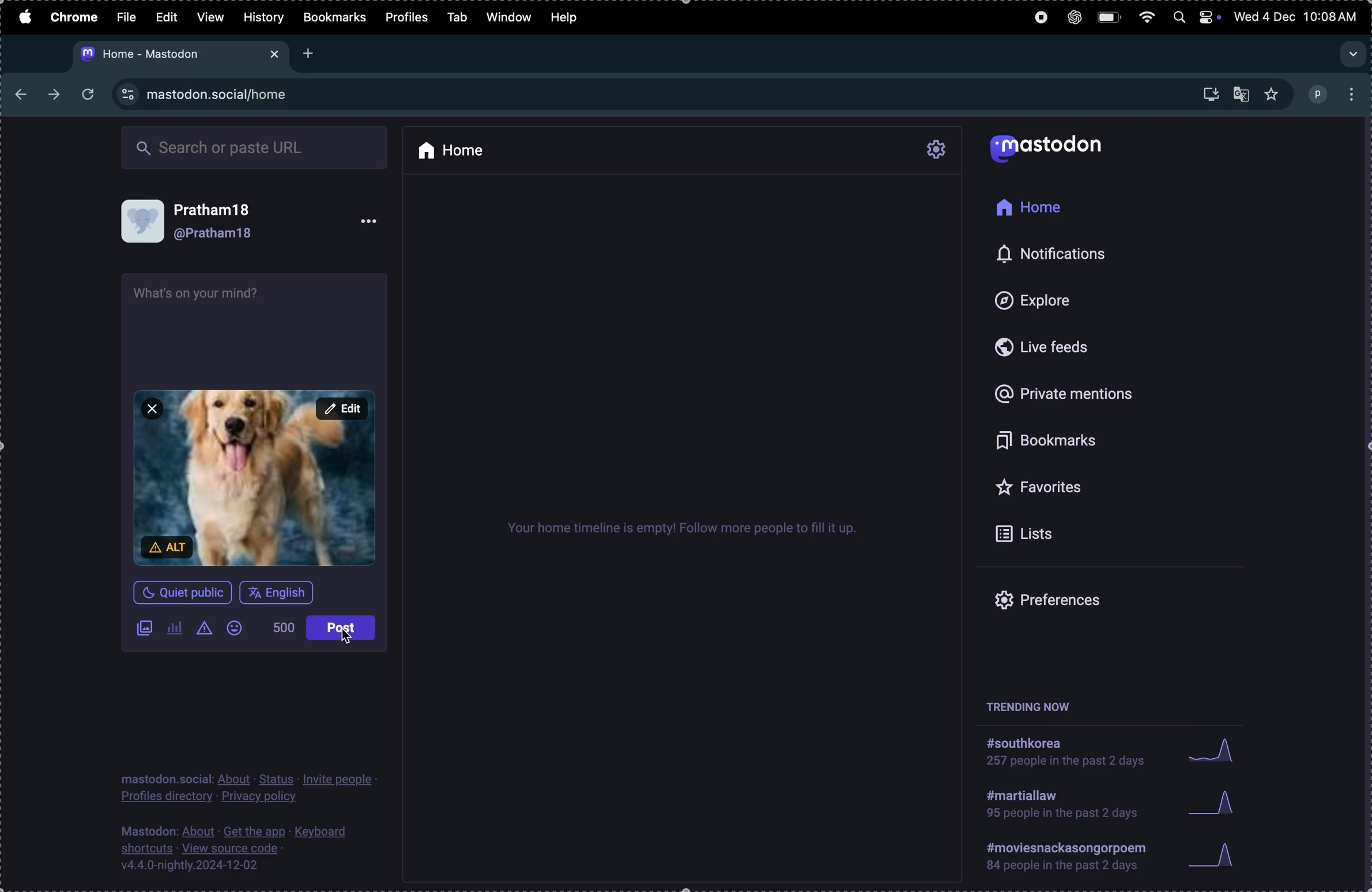  I want to click on Lists, so click(1031, 536).